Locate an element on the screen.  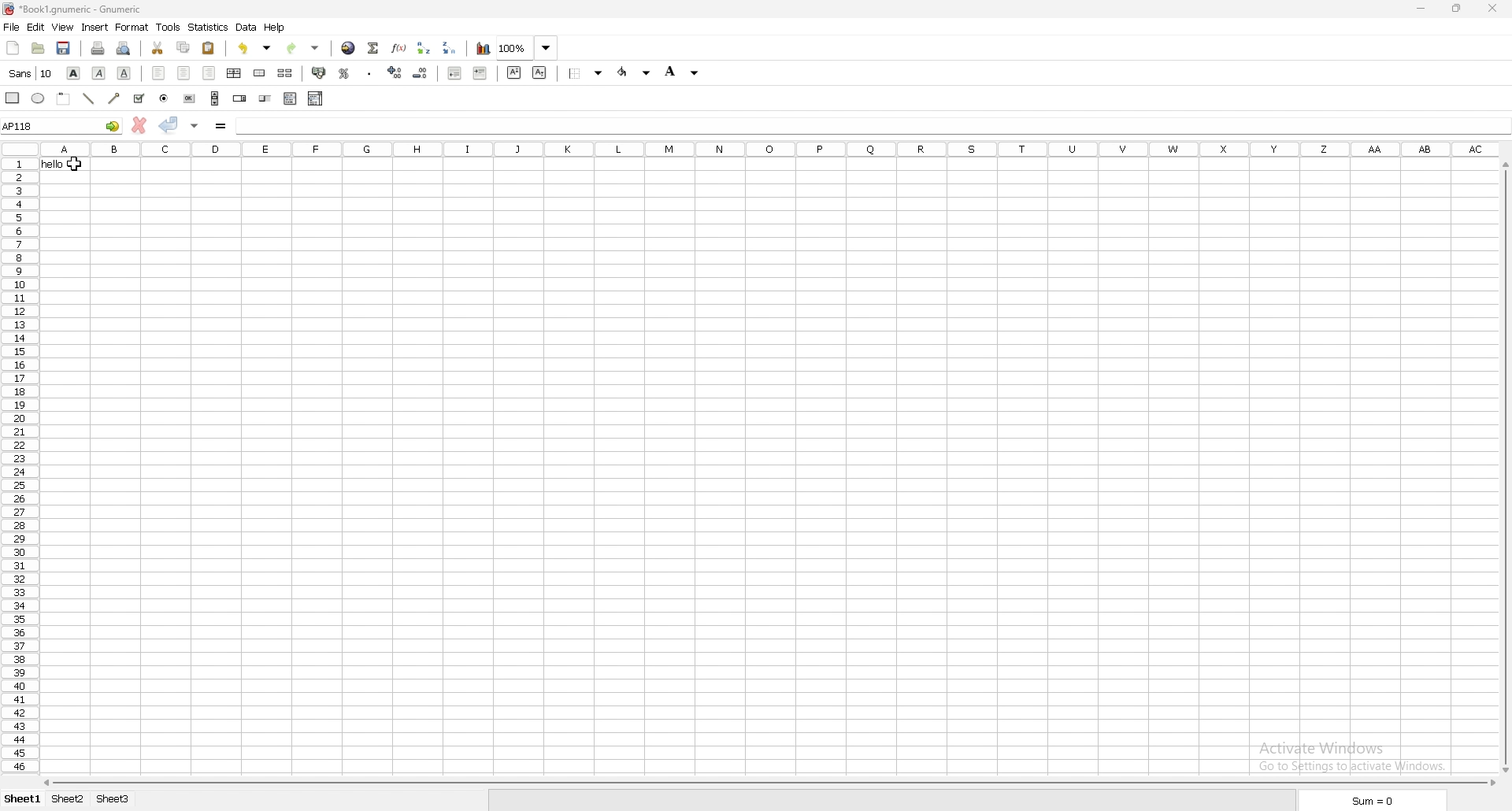
sum=0 is located at coordinates (1373, 799).